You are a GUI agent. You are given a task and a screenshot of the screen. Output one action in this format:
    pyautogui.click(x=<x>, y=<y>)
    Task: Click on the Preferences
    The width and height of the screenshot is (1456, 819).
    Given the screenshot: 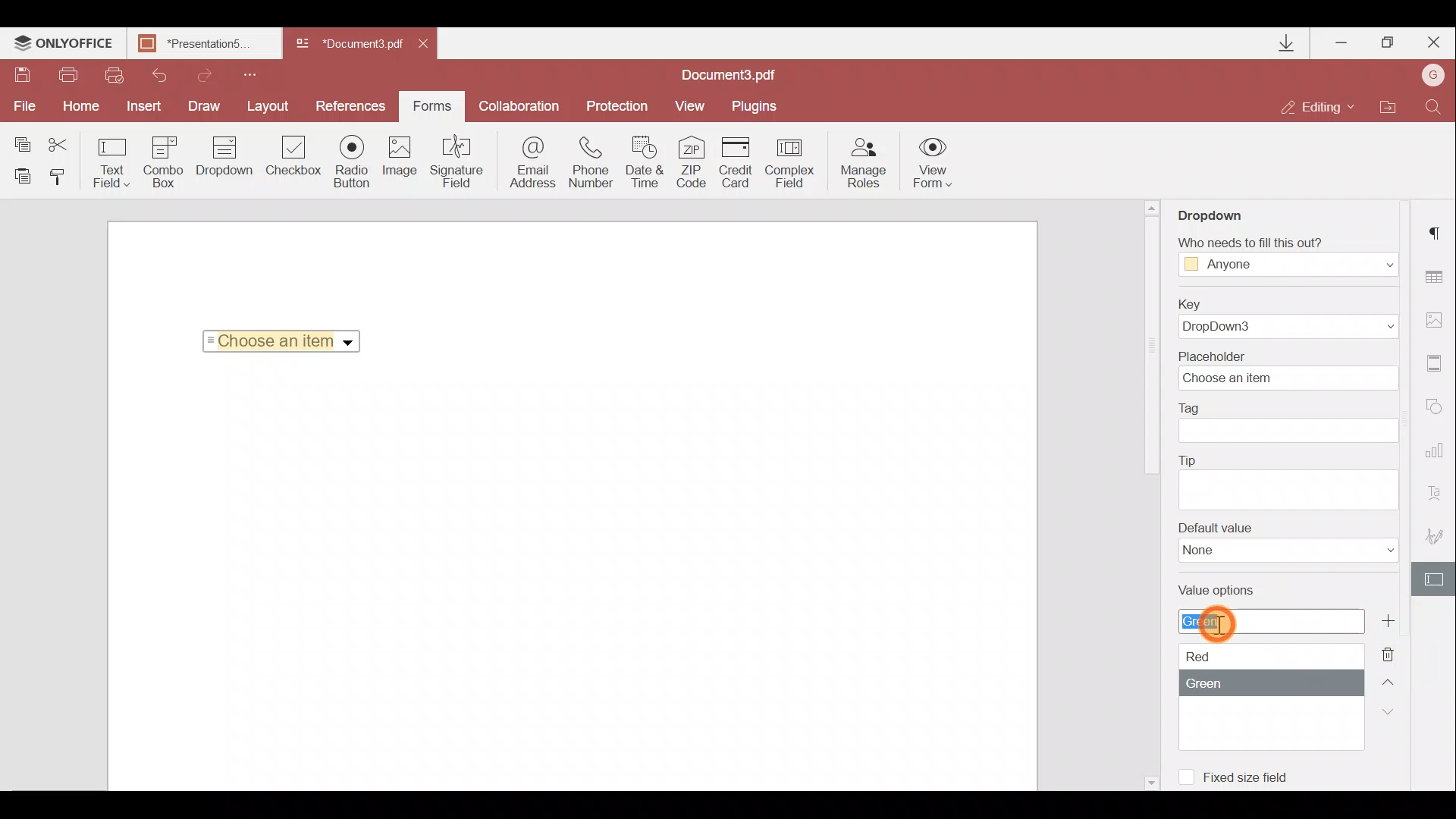 What is the action you would take?
    pyautogui.click(x=352, y=106)
    